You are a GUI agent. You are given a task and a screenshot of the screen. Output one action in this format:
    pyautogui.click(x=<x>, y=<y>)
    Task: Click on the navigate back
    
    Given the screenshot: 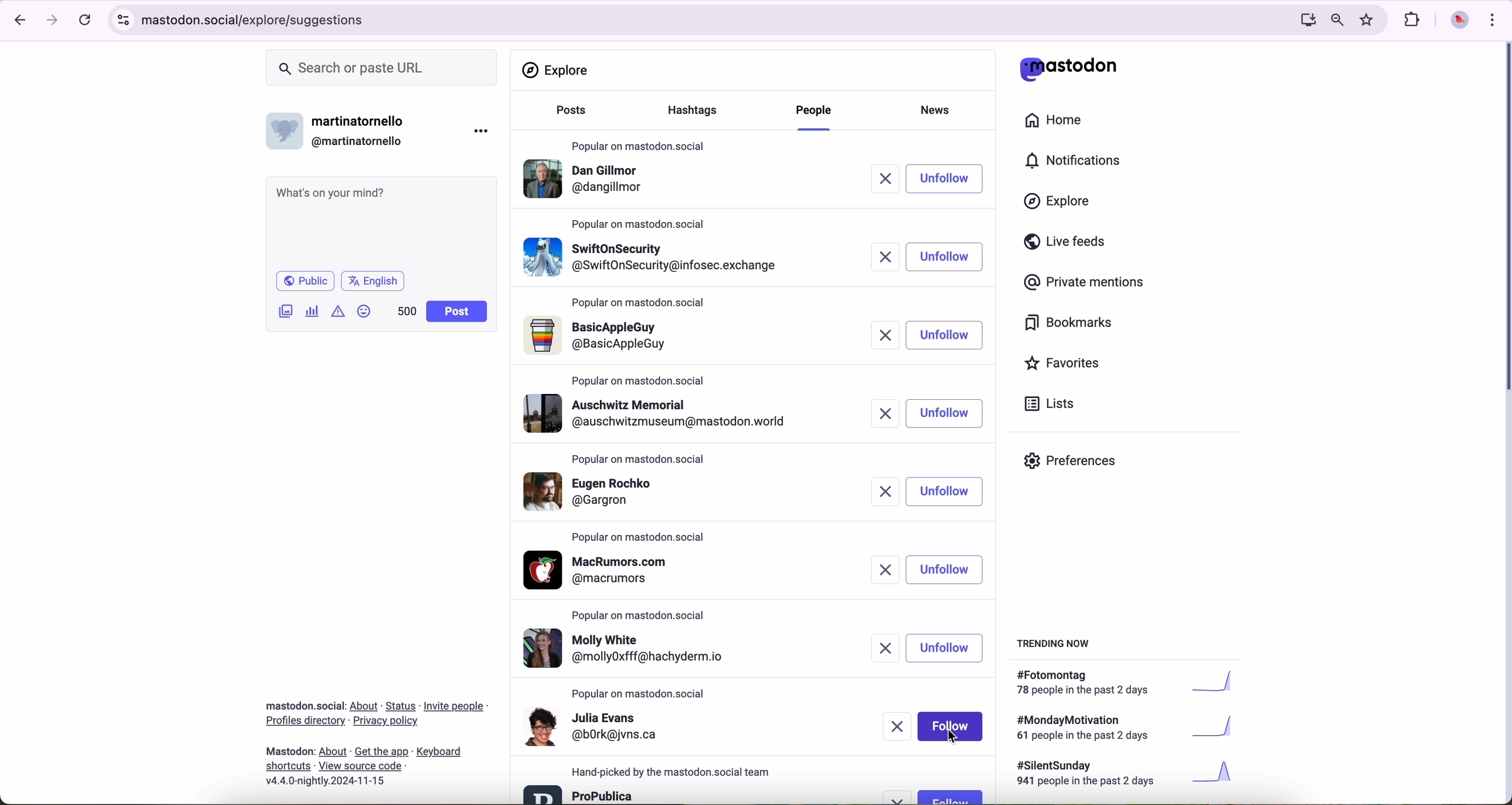 What is the action you would take?
    pyautogui.click(x=16, y=19)
    